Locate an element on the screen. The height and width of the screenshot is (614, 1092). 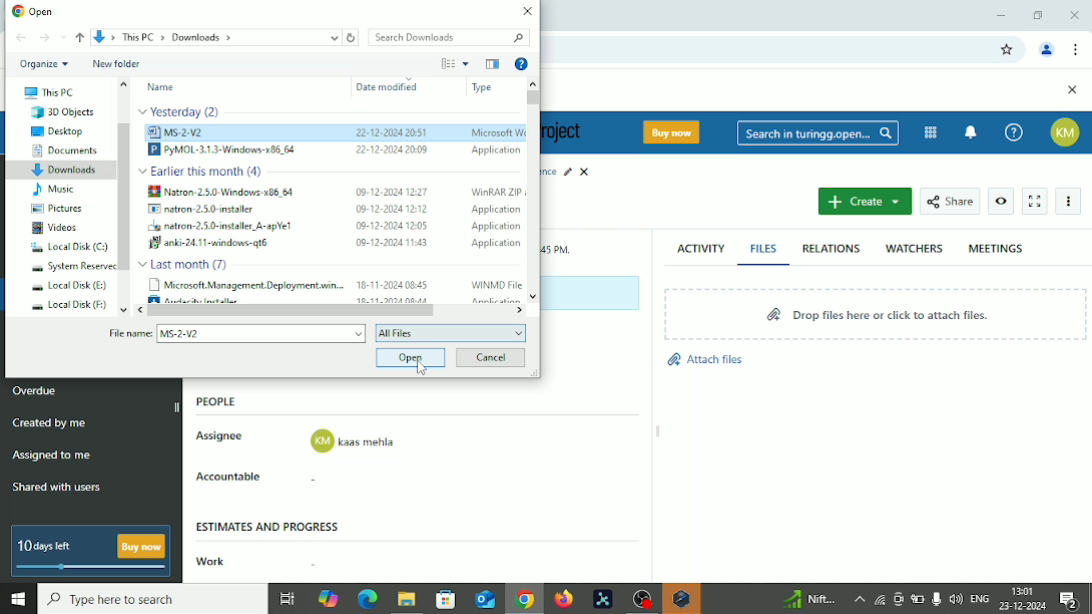
Cursor is located at coordinates (422, 367).